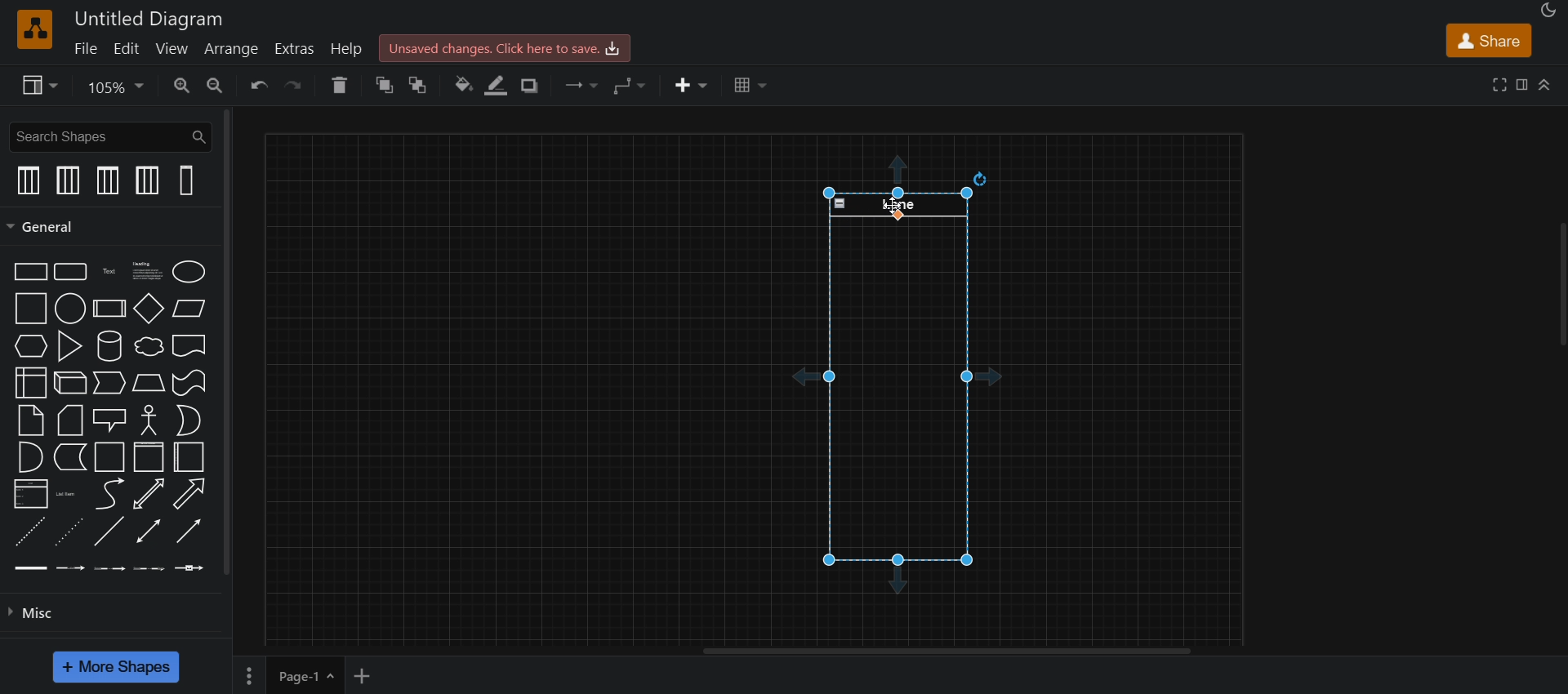 Image resolution: width=1568 pixels, height=694 pixels. What do you see at coordinates (693, 85) in the screenshot?
I see `insert` at bounding box center [693, 85].